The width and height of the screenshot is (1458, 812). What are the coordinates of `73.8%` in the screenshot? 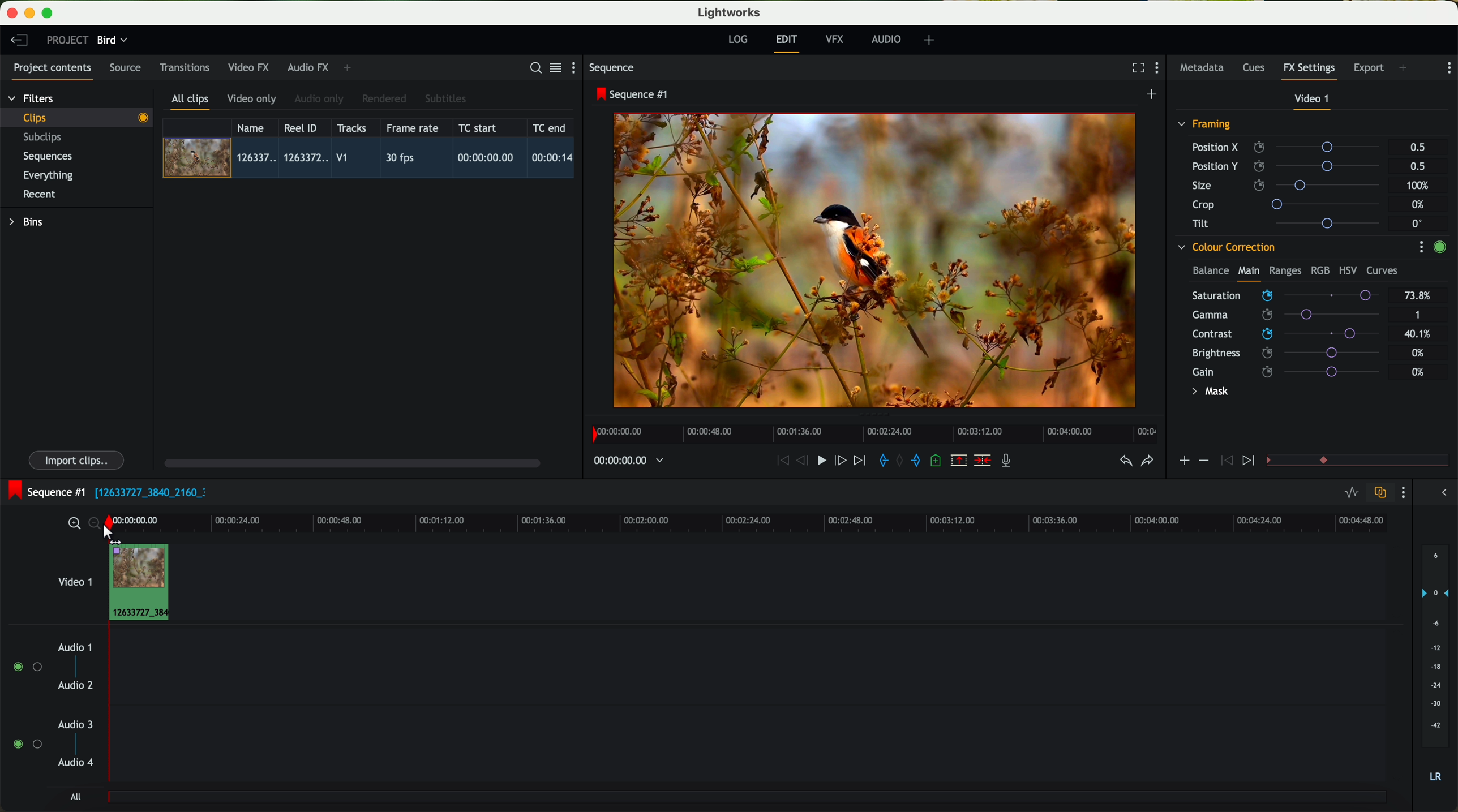 It's located at (1418, 296).